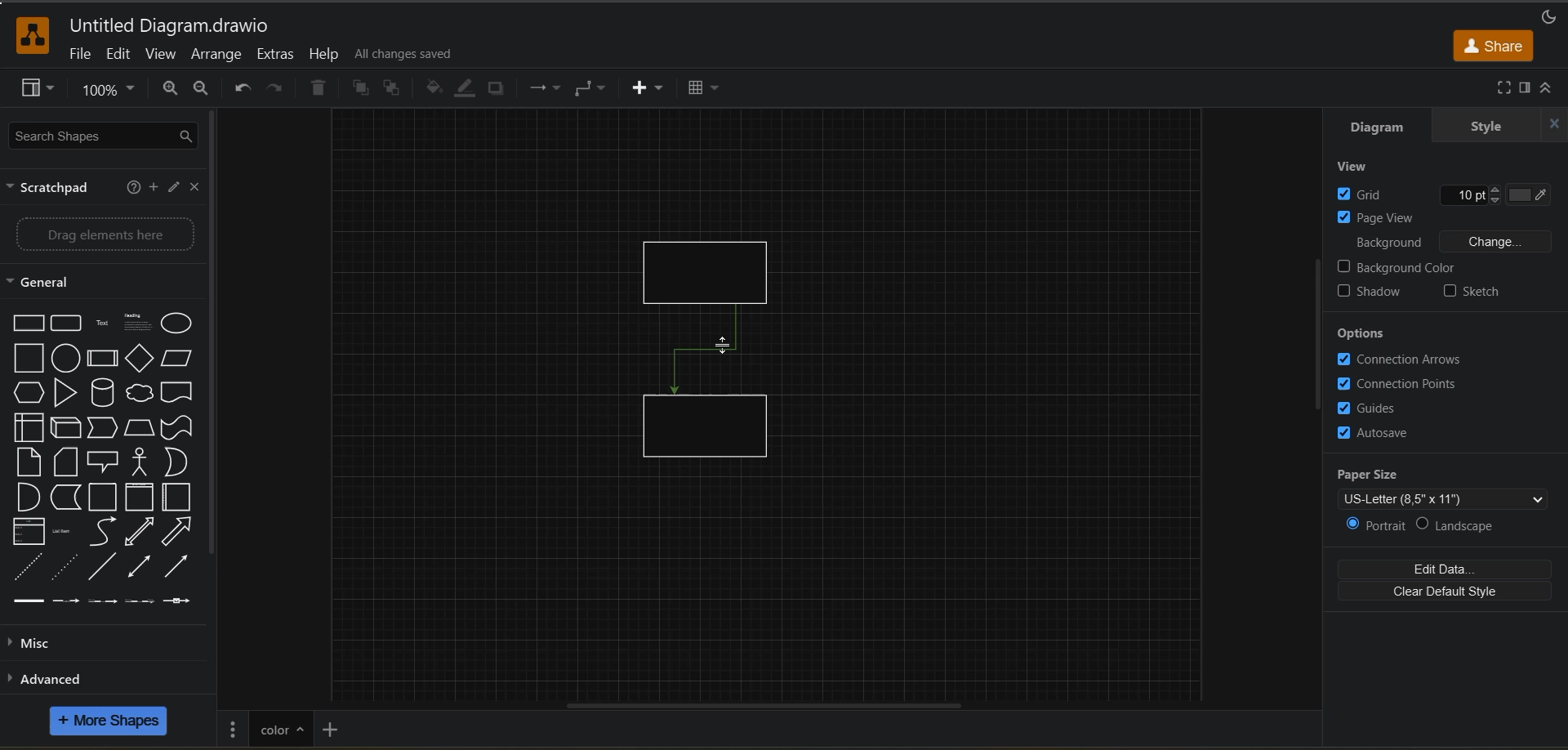  I want to click on guides, so click(1368, 407).